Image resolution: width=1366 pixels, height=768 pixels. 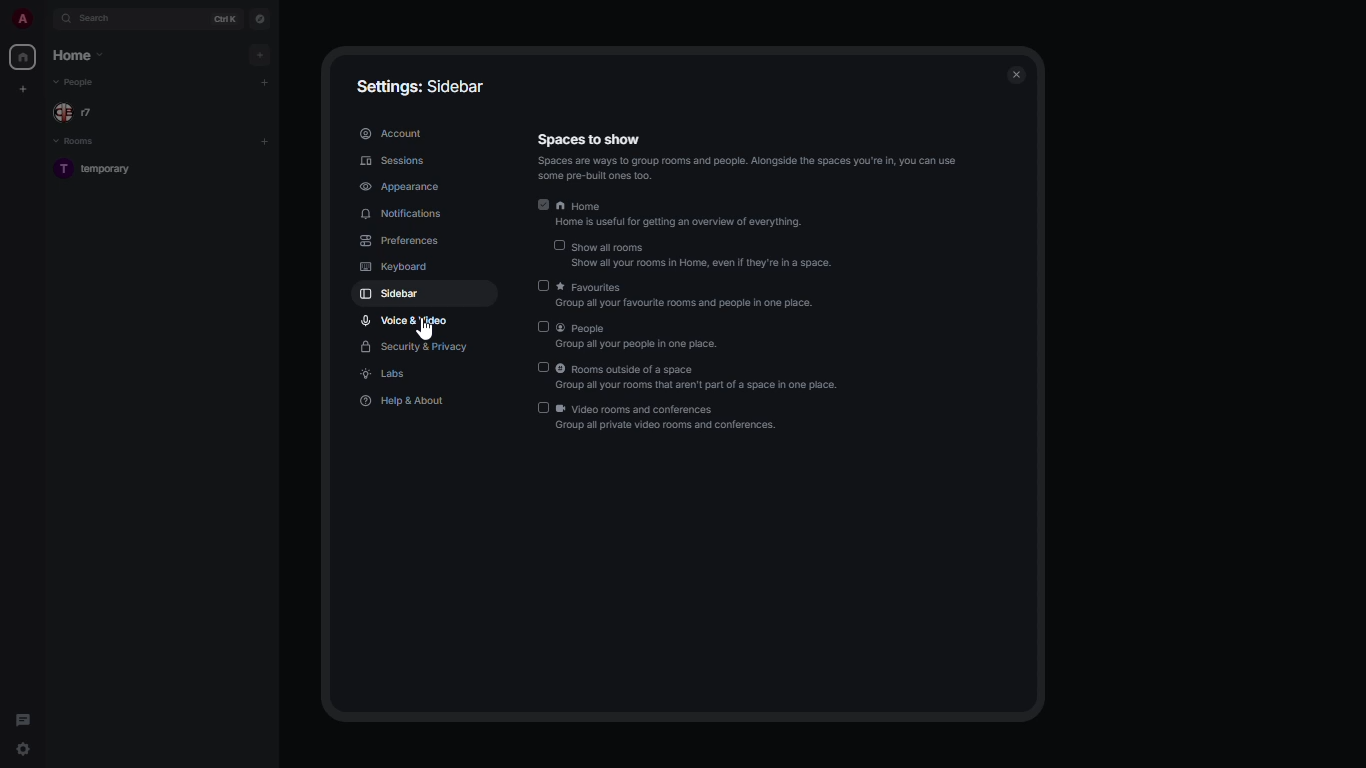 What do you see at coordinates (24, 56) in the screenshot?
I see `home` at bounding box center [24, 56].